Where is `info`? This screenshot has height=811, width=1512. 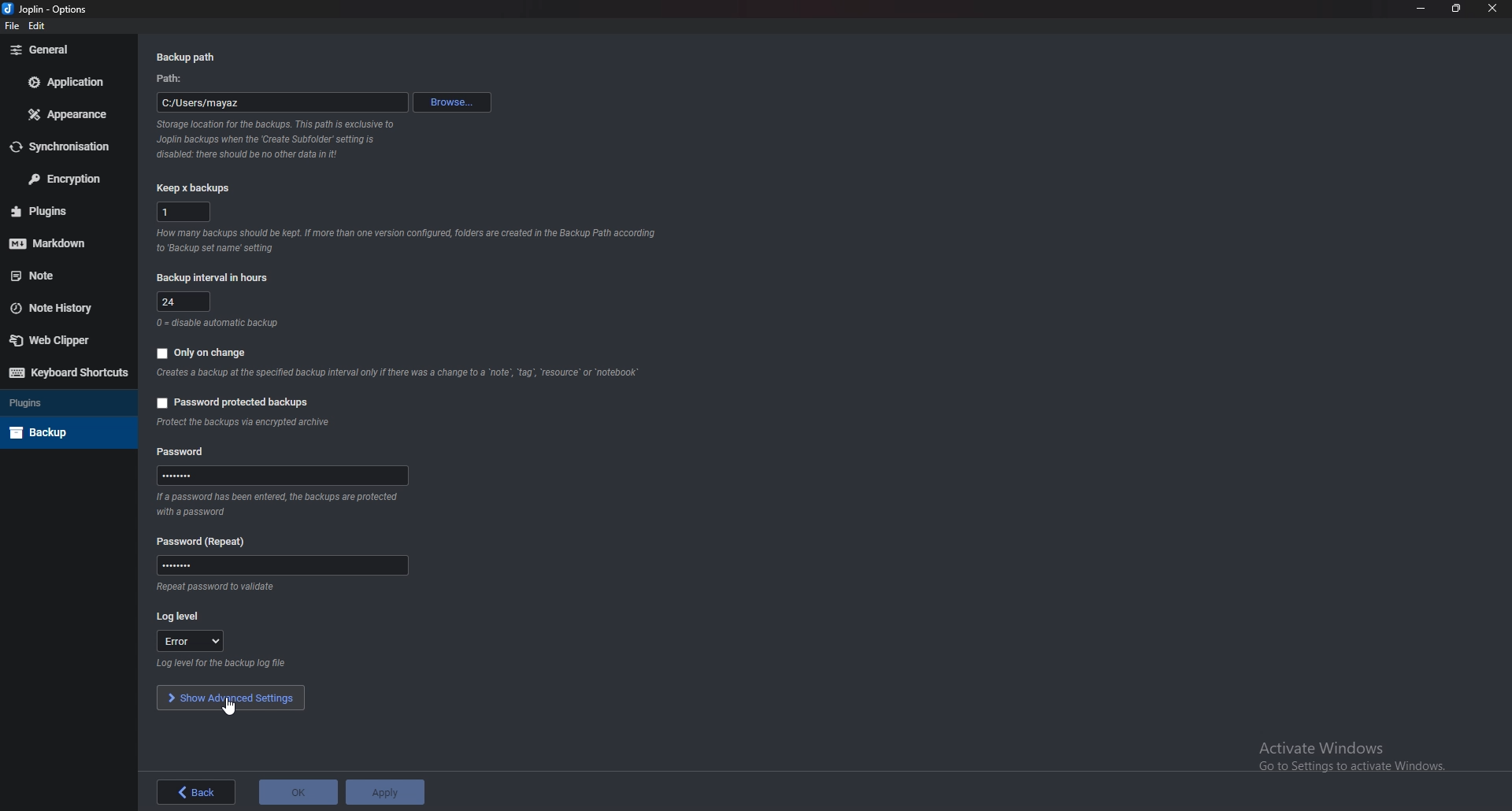 info is located at coordinates (278, 139).